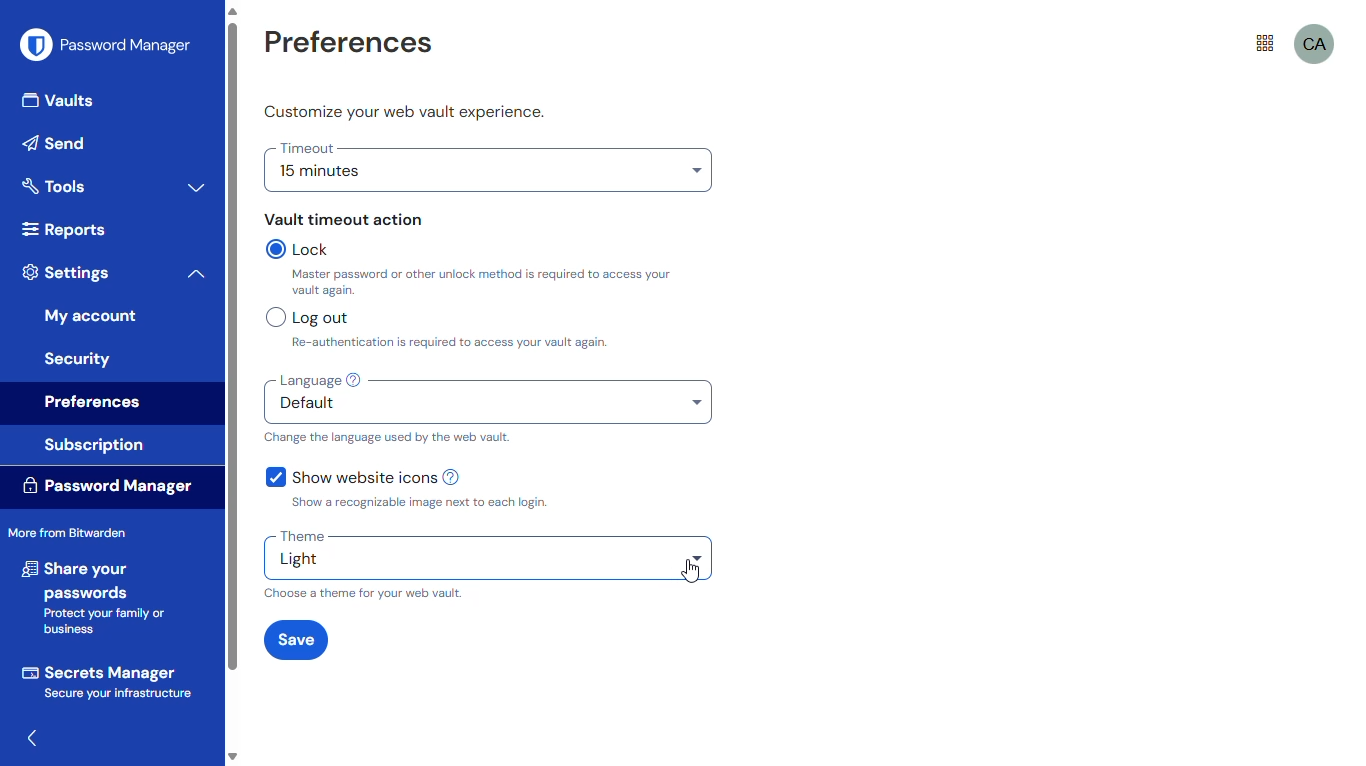 This screenshot has height=766, width=1366. Describe the element at coordinates (295, 639) in the screenshot. I see `save` at that location.